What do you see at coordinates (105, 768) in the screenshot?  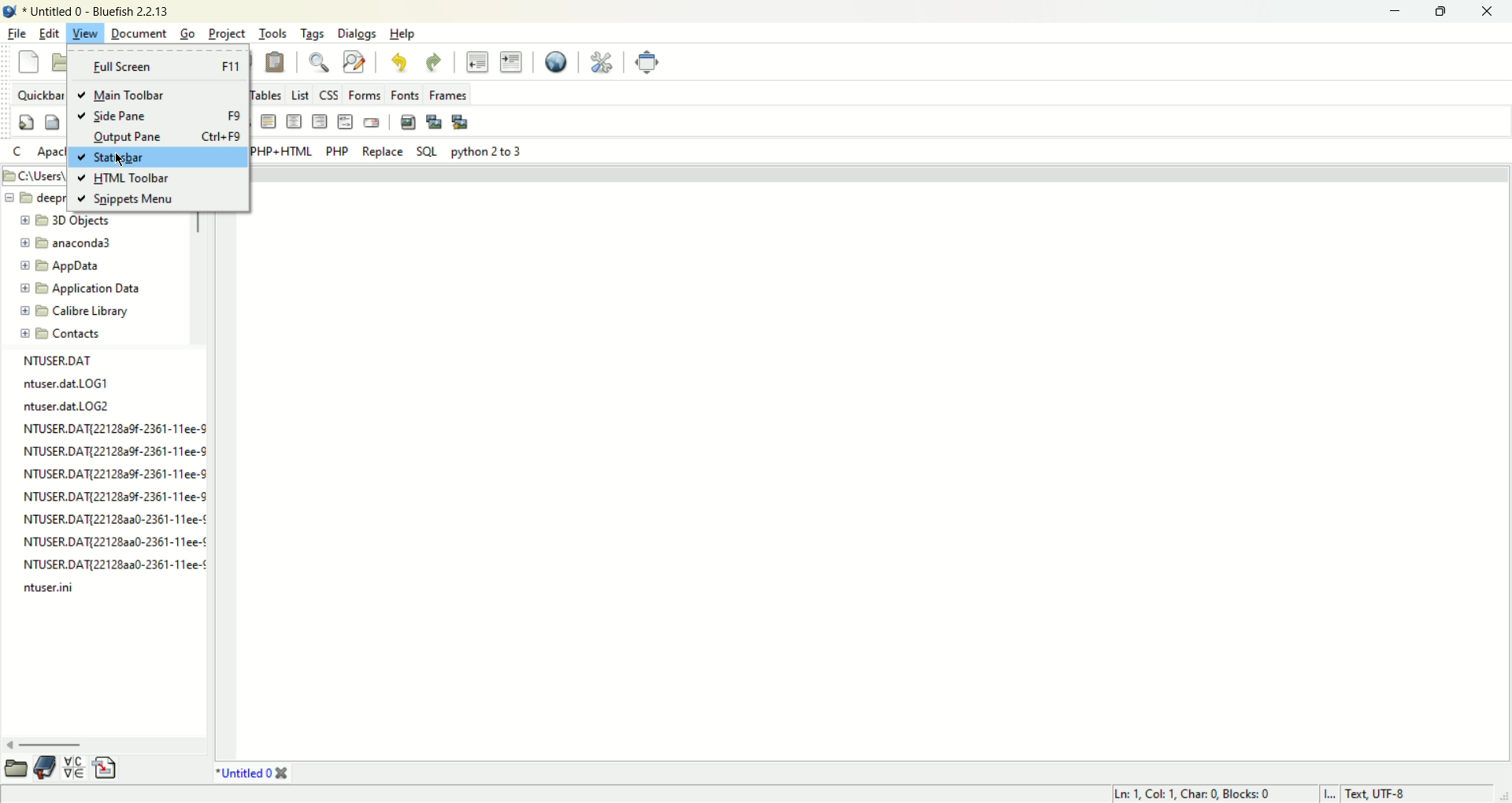 I see `snippets` at bounding box center [105, 768].